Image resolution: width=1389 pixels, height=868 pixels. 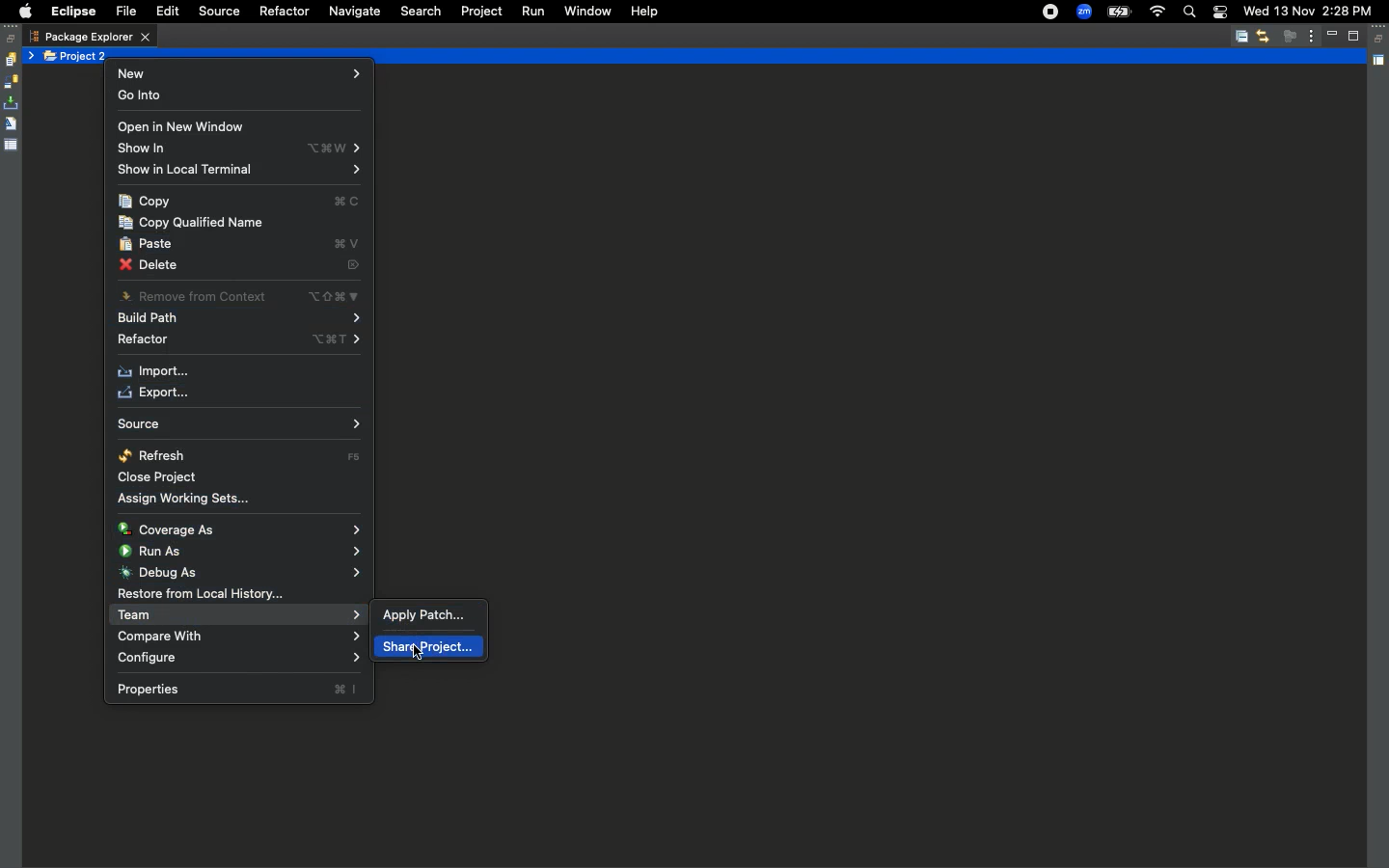 I want to click on History, so click(x=10, y=60).